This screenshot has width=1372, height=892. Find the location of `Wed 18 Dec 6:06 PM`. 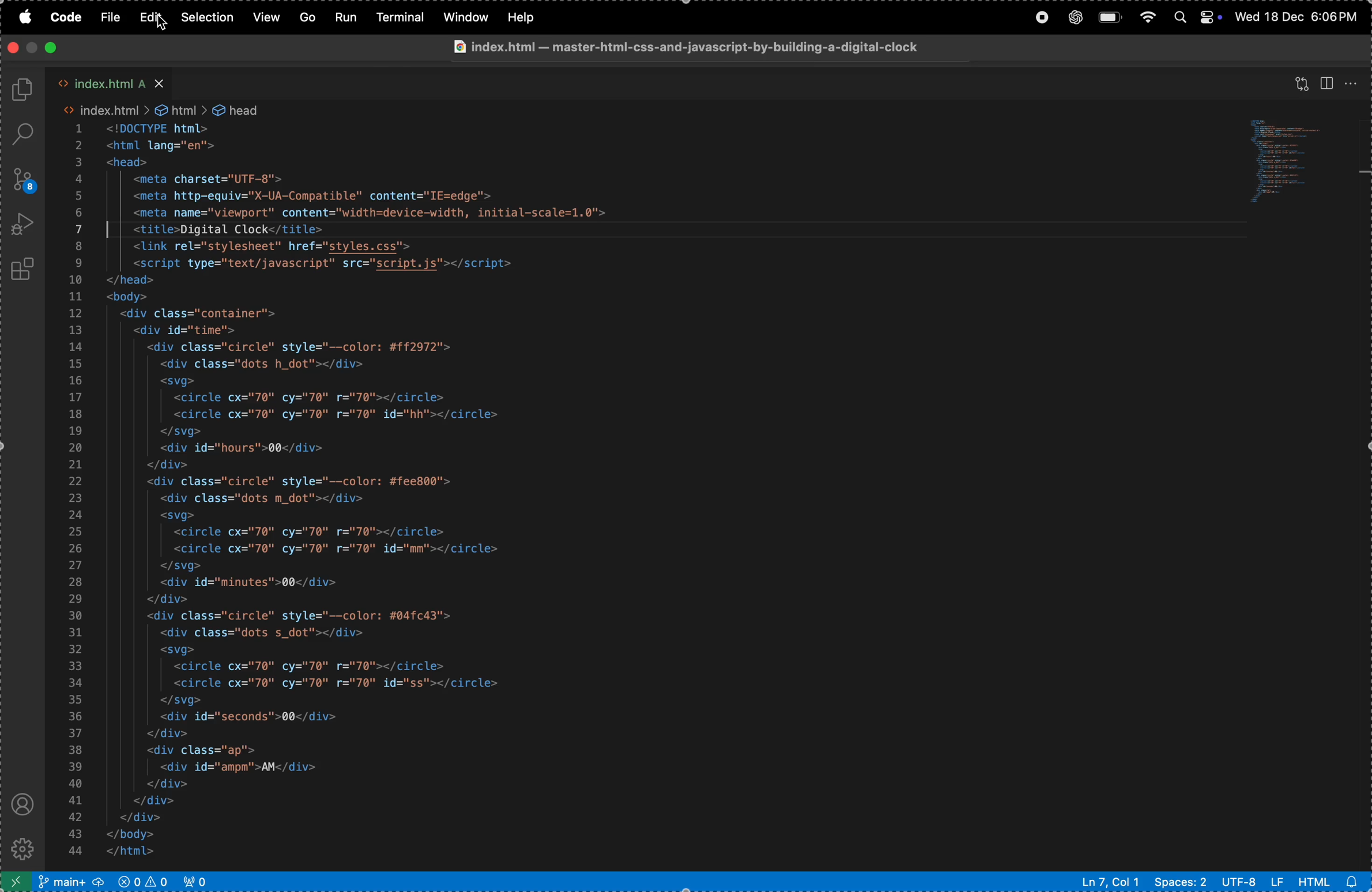

Wed 18 Dec 6:06 PM is located at coordinates (1296, 16).